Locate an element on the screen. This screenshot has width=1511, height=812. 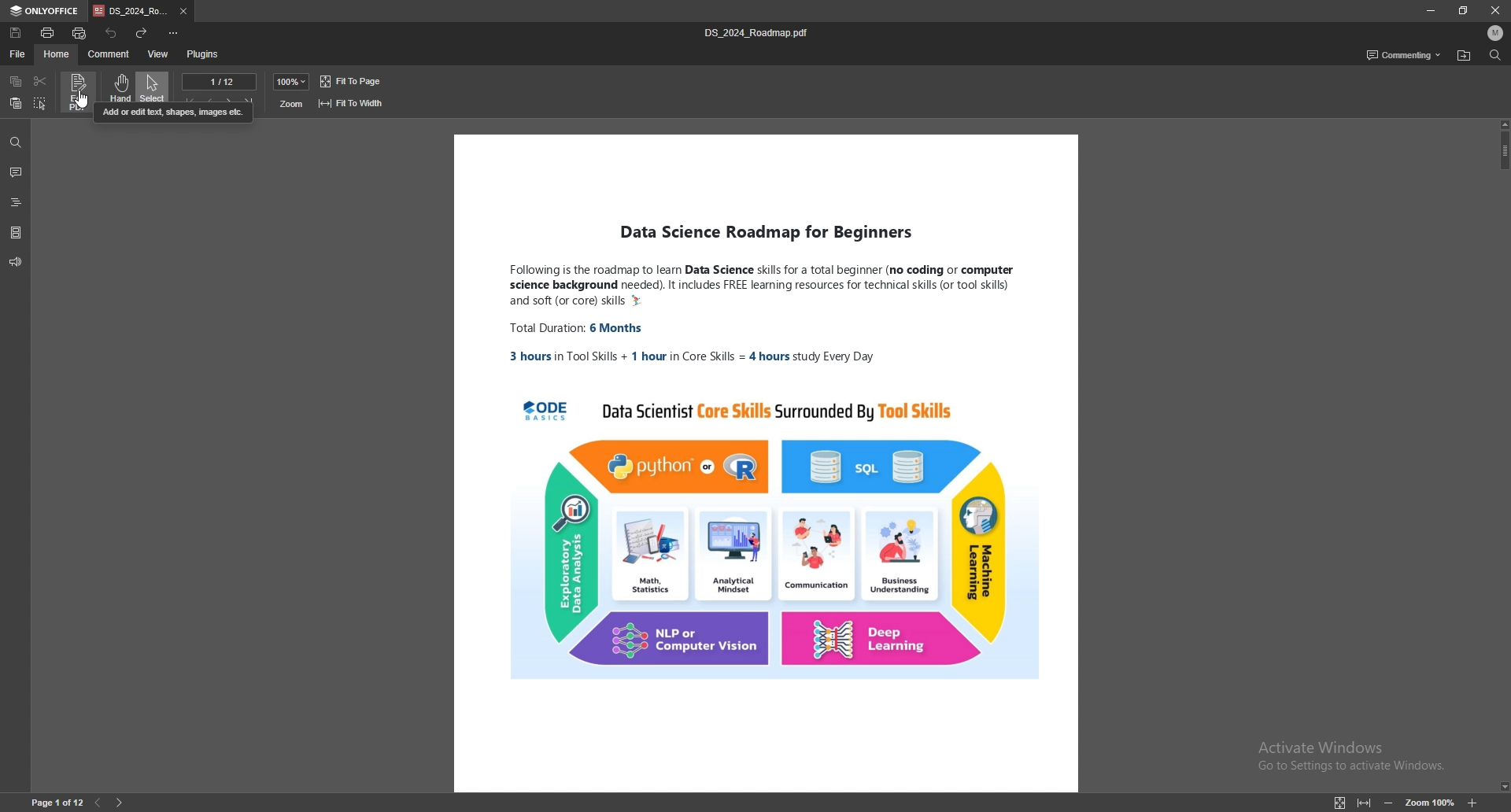
print is located at coordinates (48, 32).